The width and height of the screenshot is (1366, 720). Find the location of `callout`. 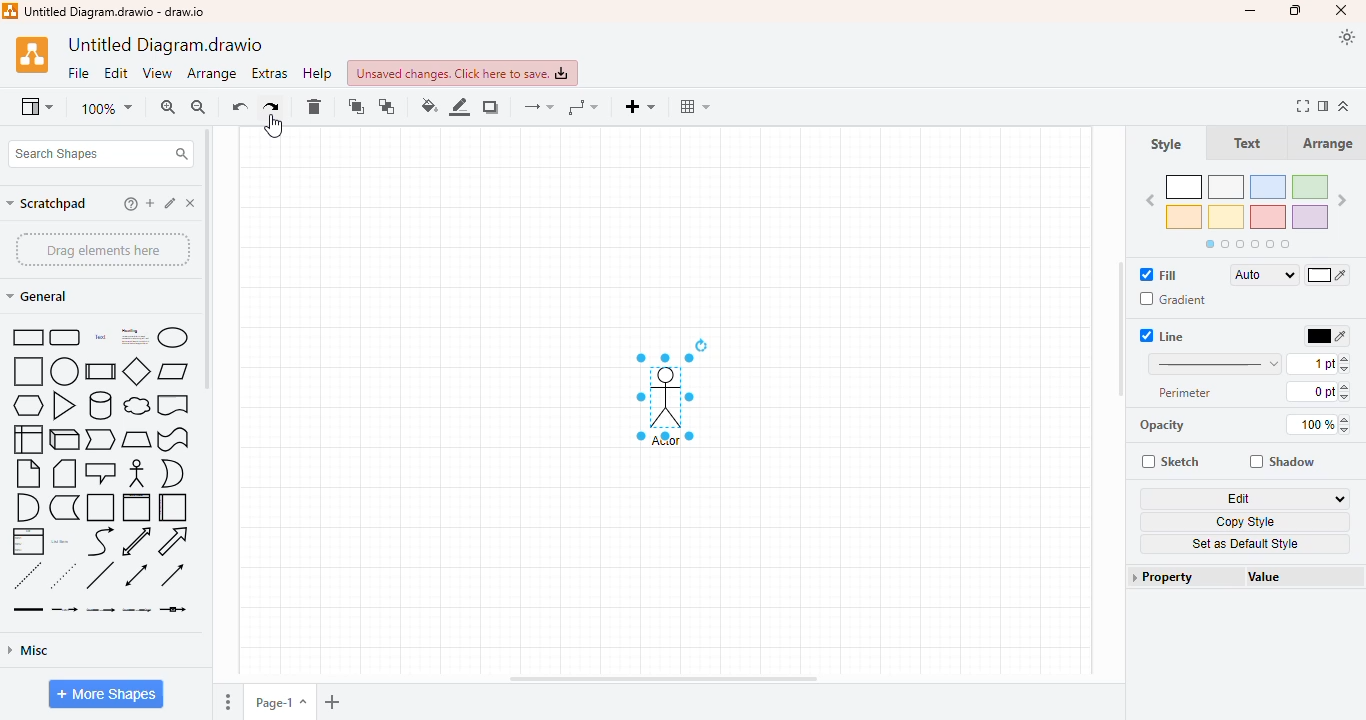

callout is located at coordinates (102, 473).